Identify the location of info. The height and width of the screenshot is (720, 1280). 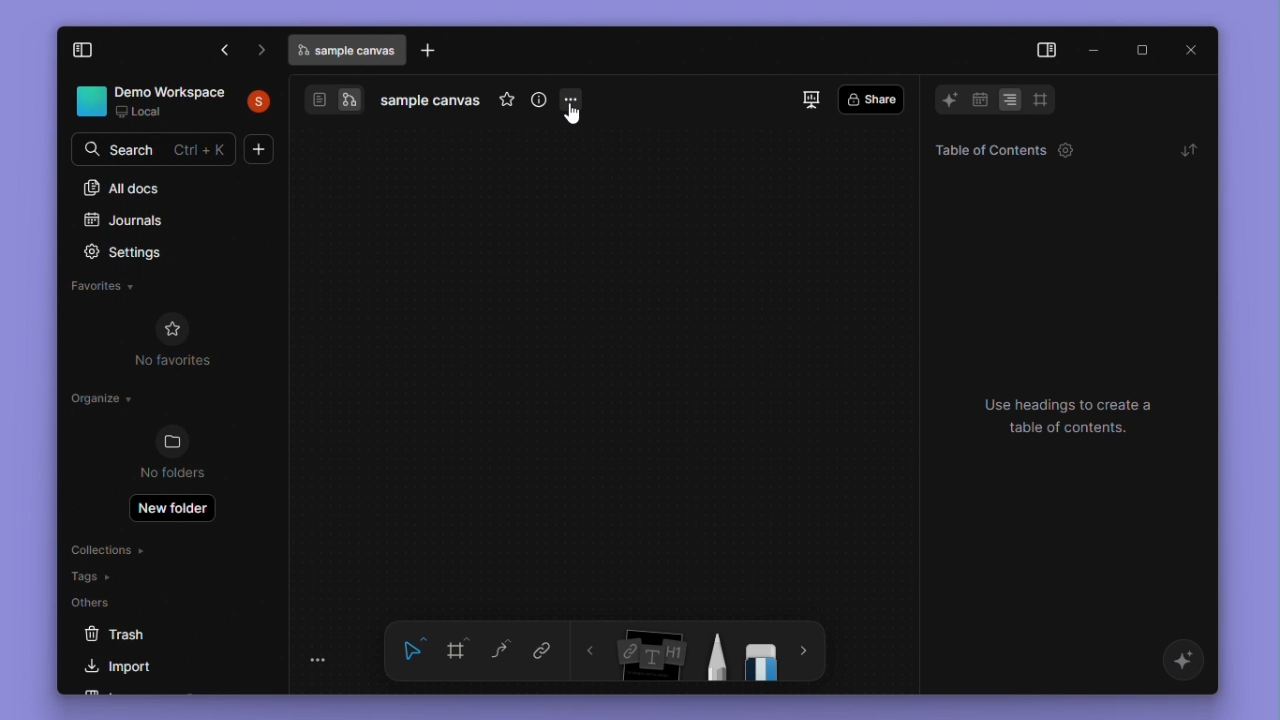
(539, 102).